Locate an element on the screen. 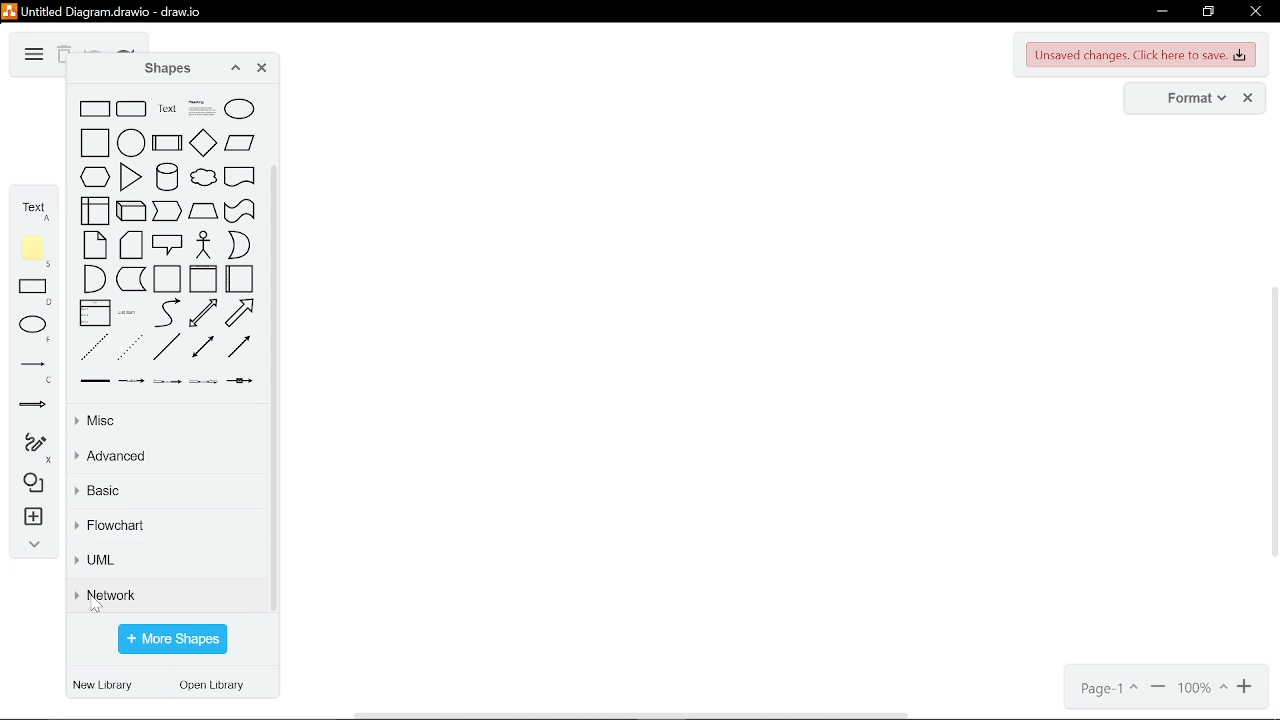 This screenshot has width=1280, height=720. vertical container is located at coordinates (203, 278).